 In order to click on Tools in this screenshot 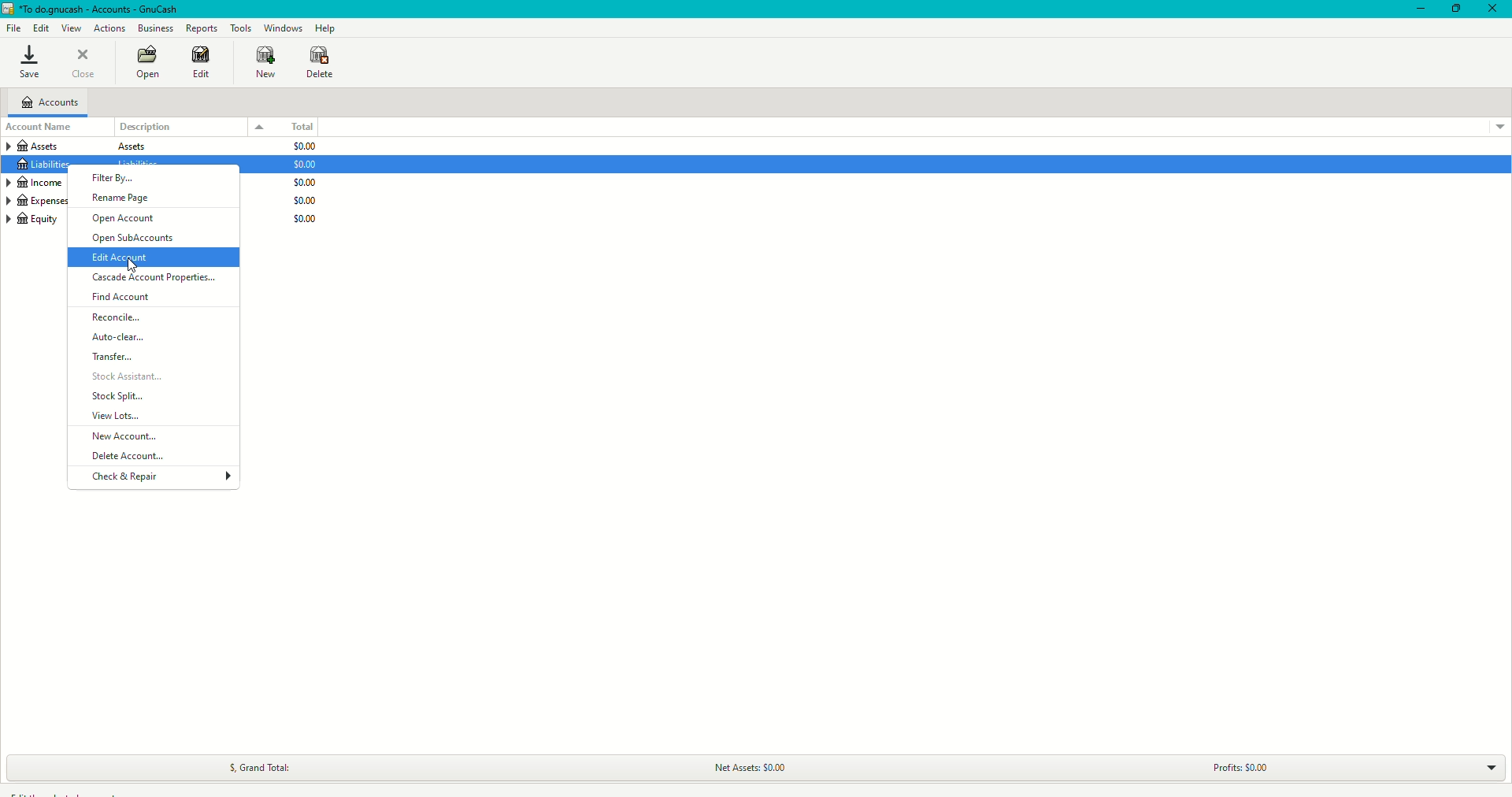, I will do `click(243, 28)`.